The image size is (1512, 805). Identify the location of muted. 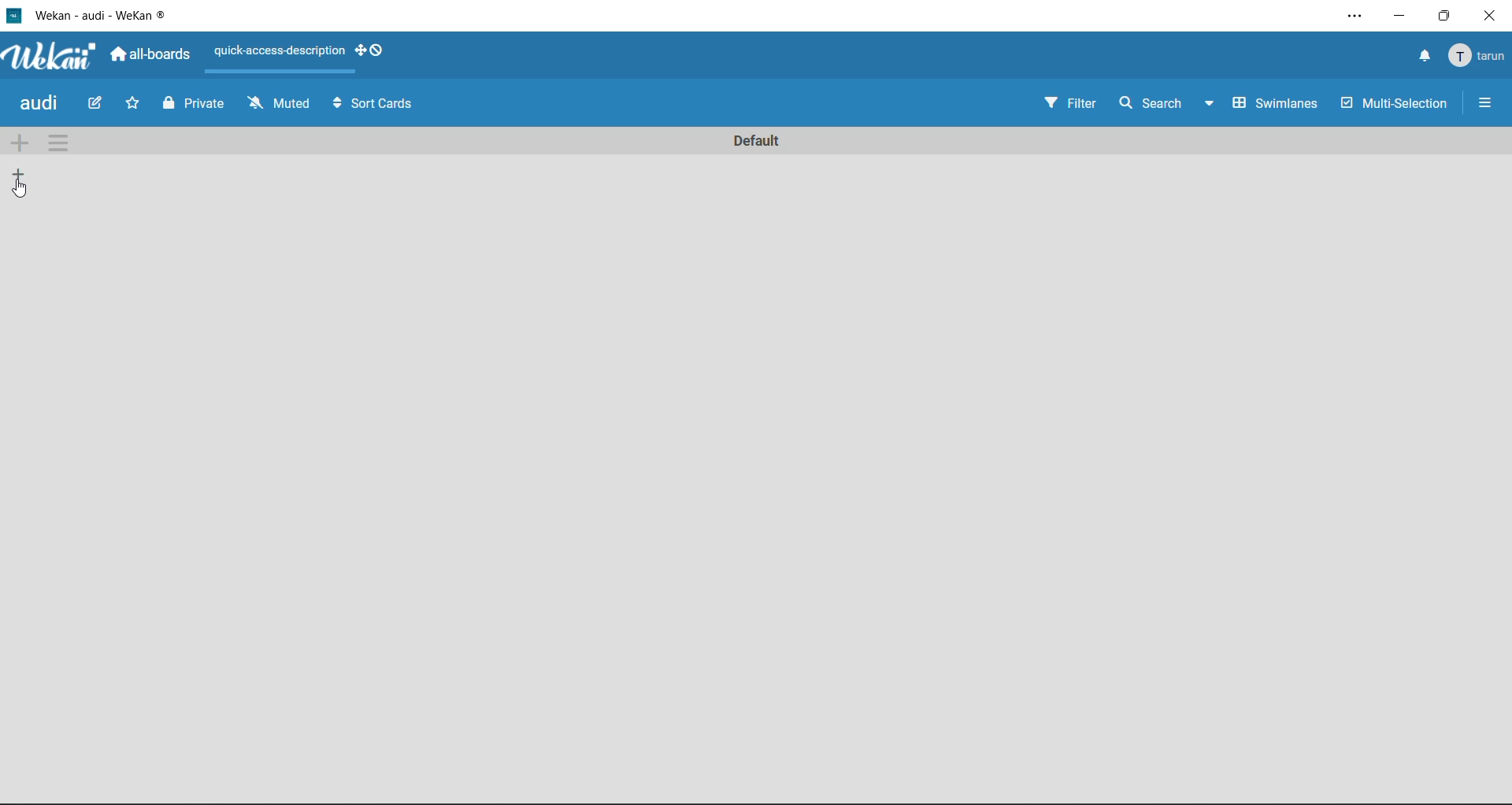
(280, 107).